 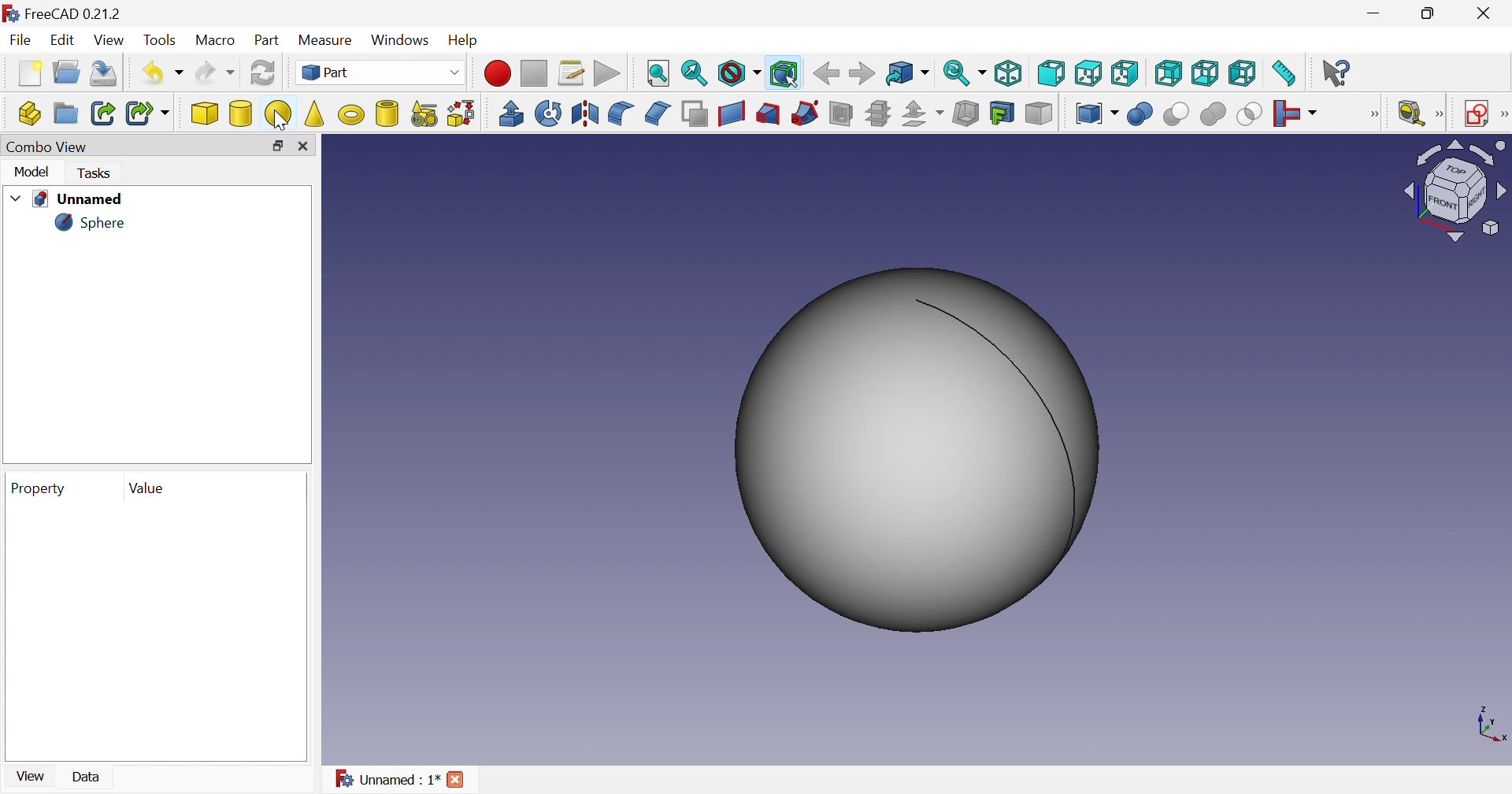 I want to click on Cross-sections, so click(x=877, y=113).